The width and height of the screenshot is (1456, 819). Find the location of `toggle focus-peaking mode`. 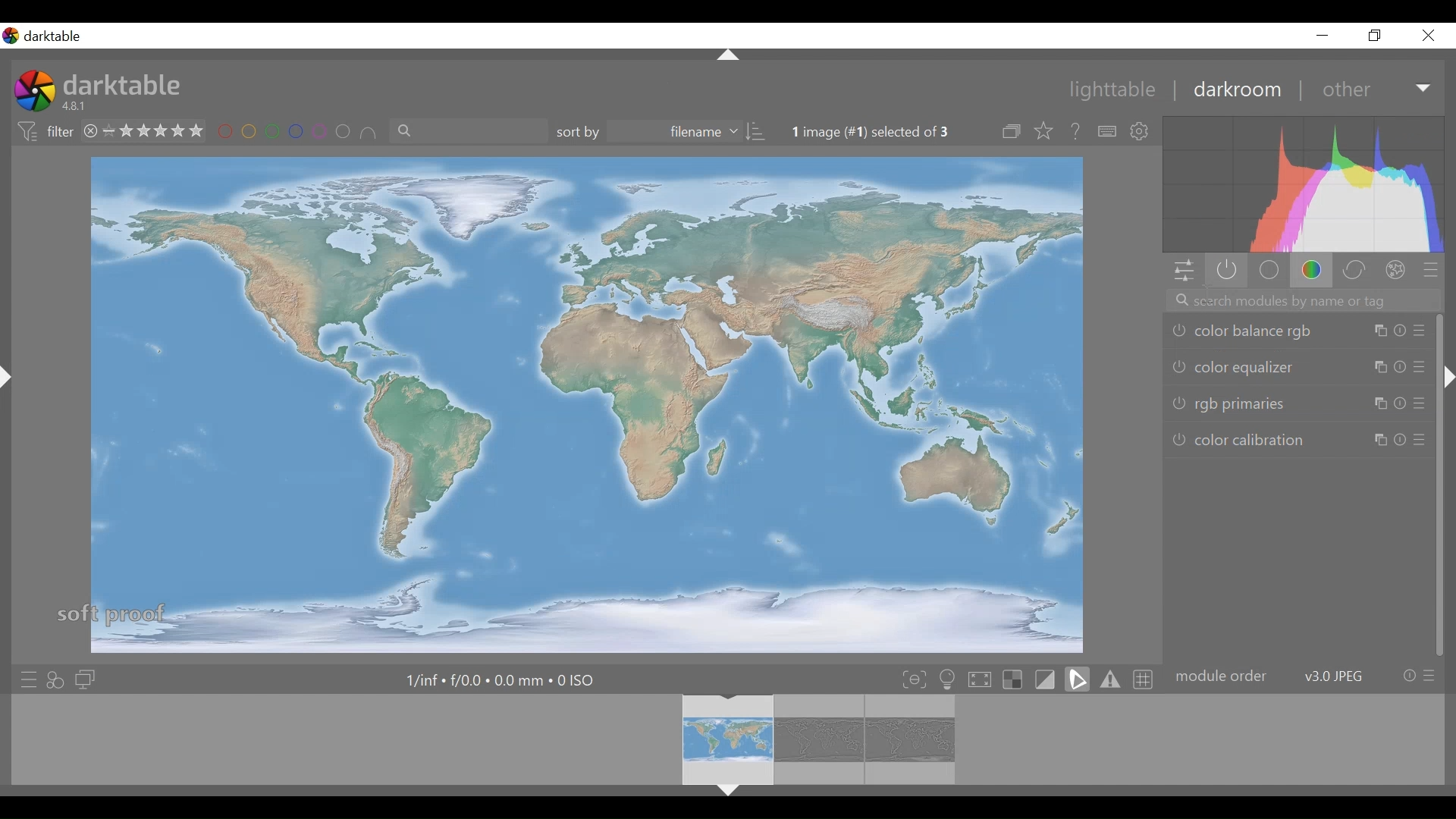

toggle focus-peaking mode is located at coordinates (914, 679).